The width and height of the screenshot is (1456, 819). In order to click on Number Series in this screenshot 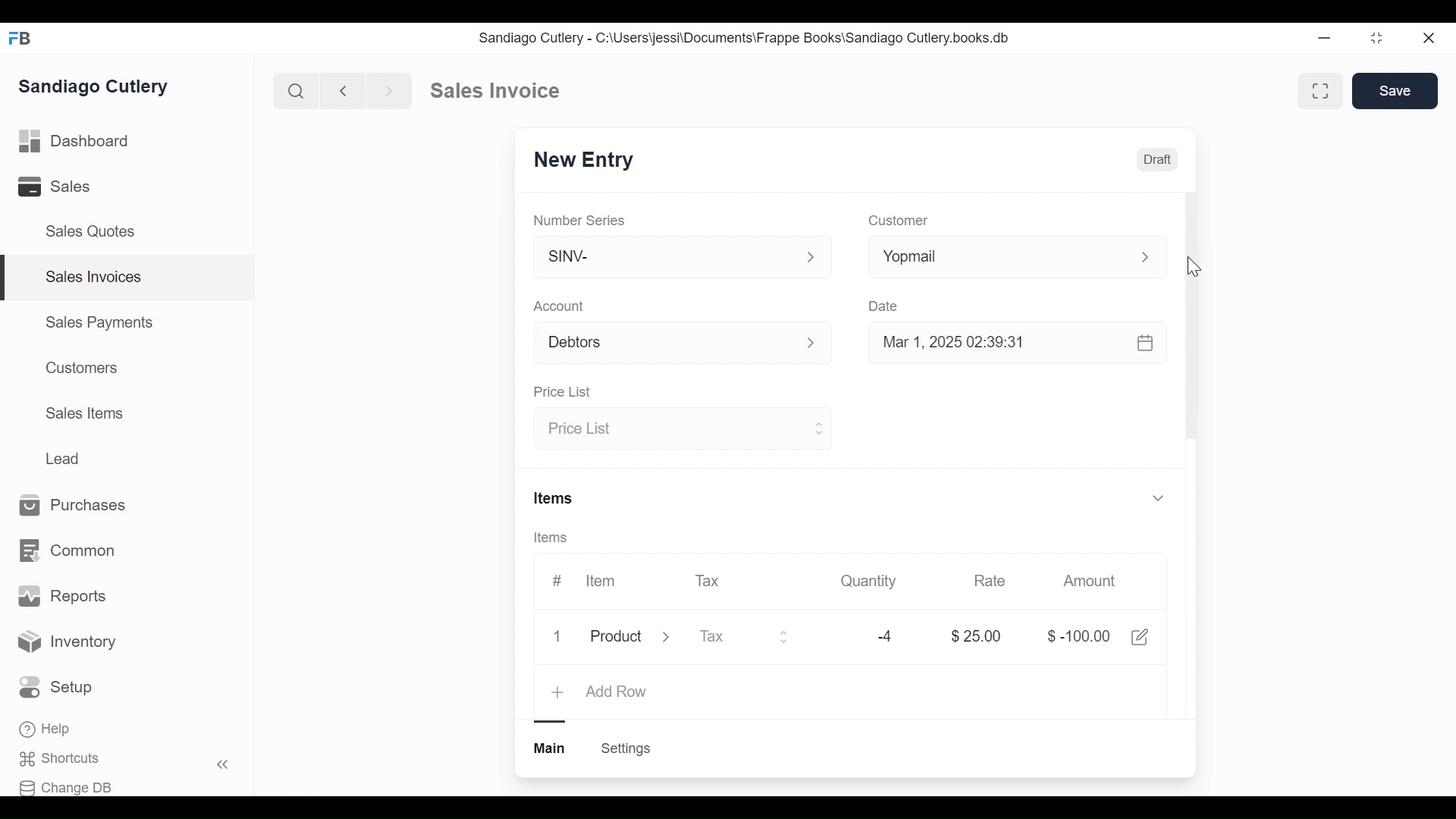, I will do `click(579, 219)`.